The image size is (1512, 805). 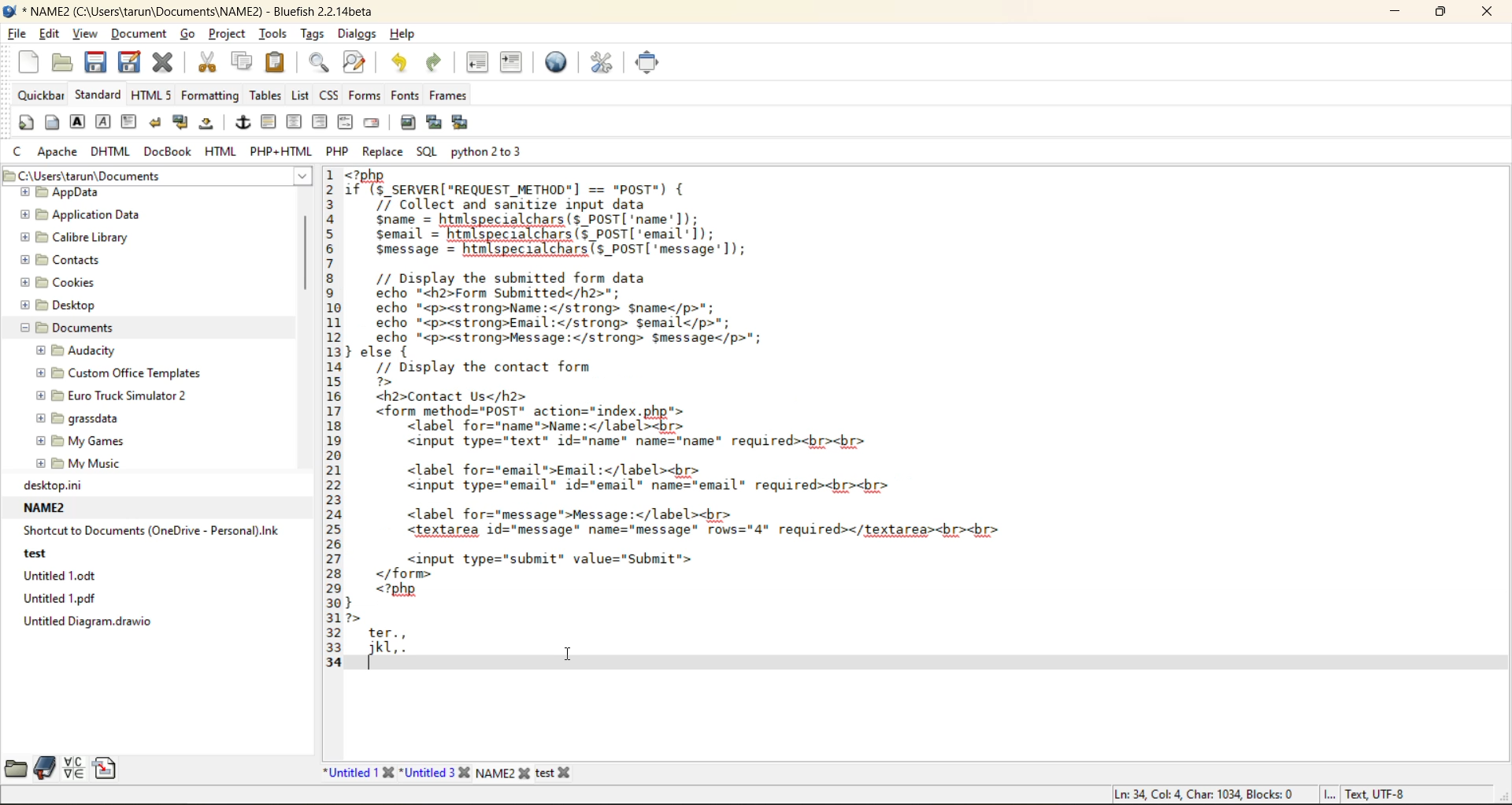 What do you see at coordinates (571, 653) in the screenshot?
I see `cursor on editor` at bounding box center [571, 653].